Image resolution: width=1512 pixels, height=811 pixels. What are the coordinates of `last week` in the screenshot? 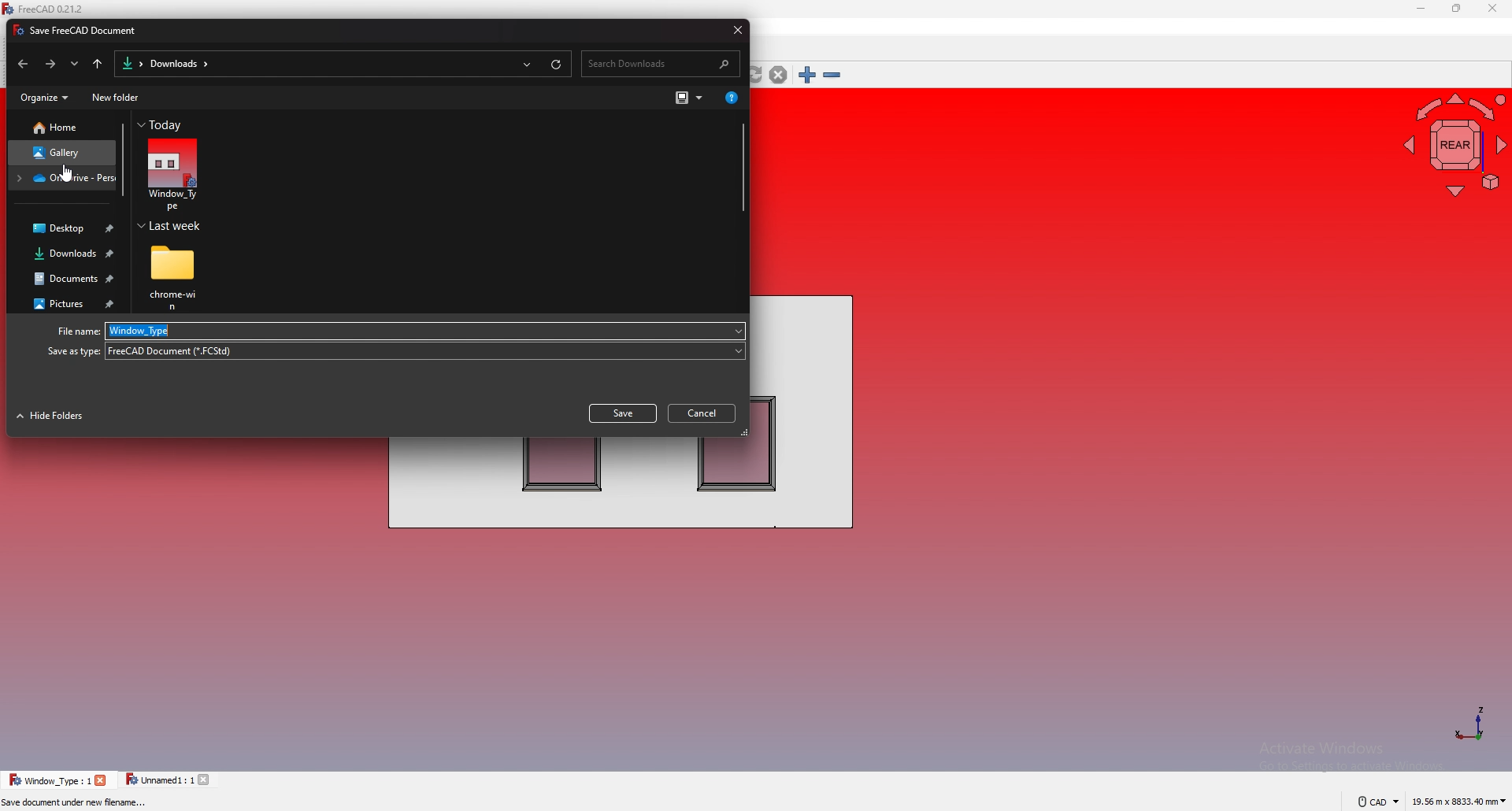 It's located at (174, 227).